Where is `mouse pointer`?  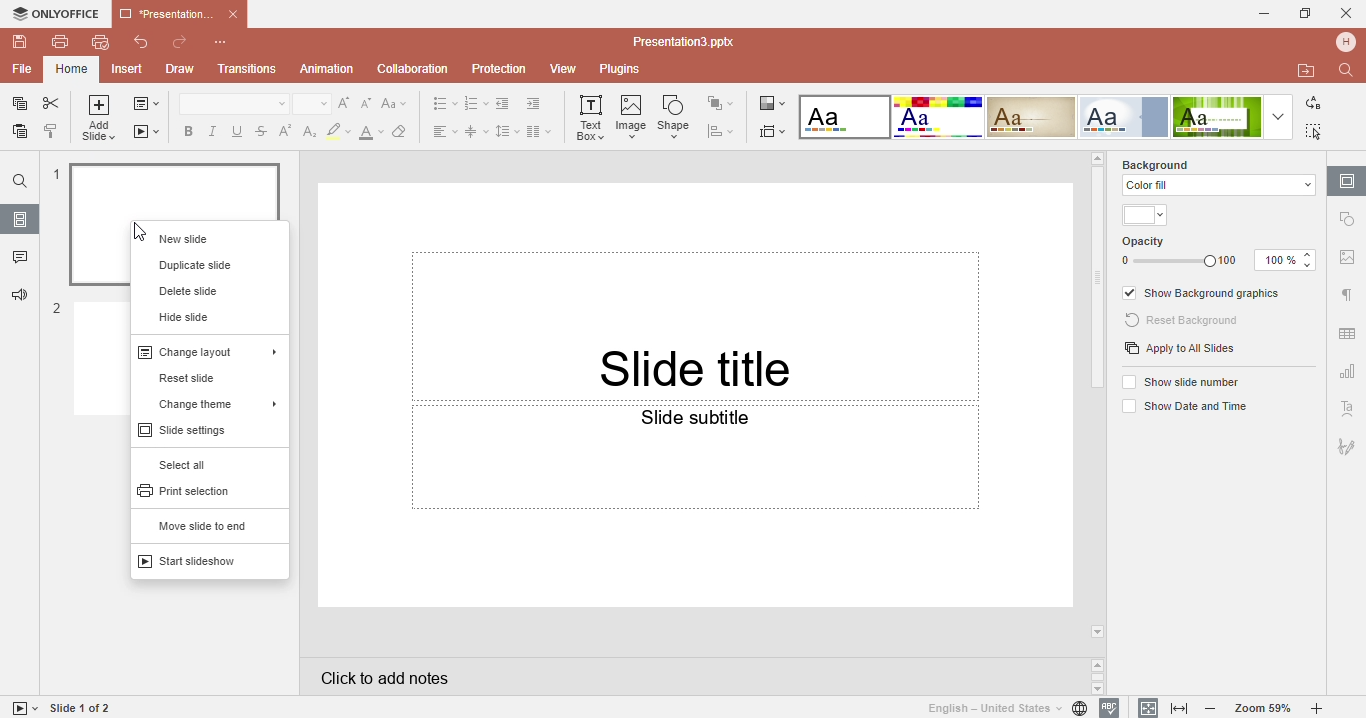 mouse pointer is located at coordinates (143, 233).